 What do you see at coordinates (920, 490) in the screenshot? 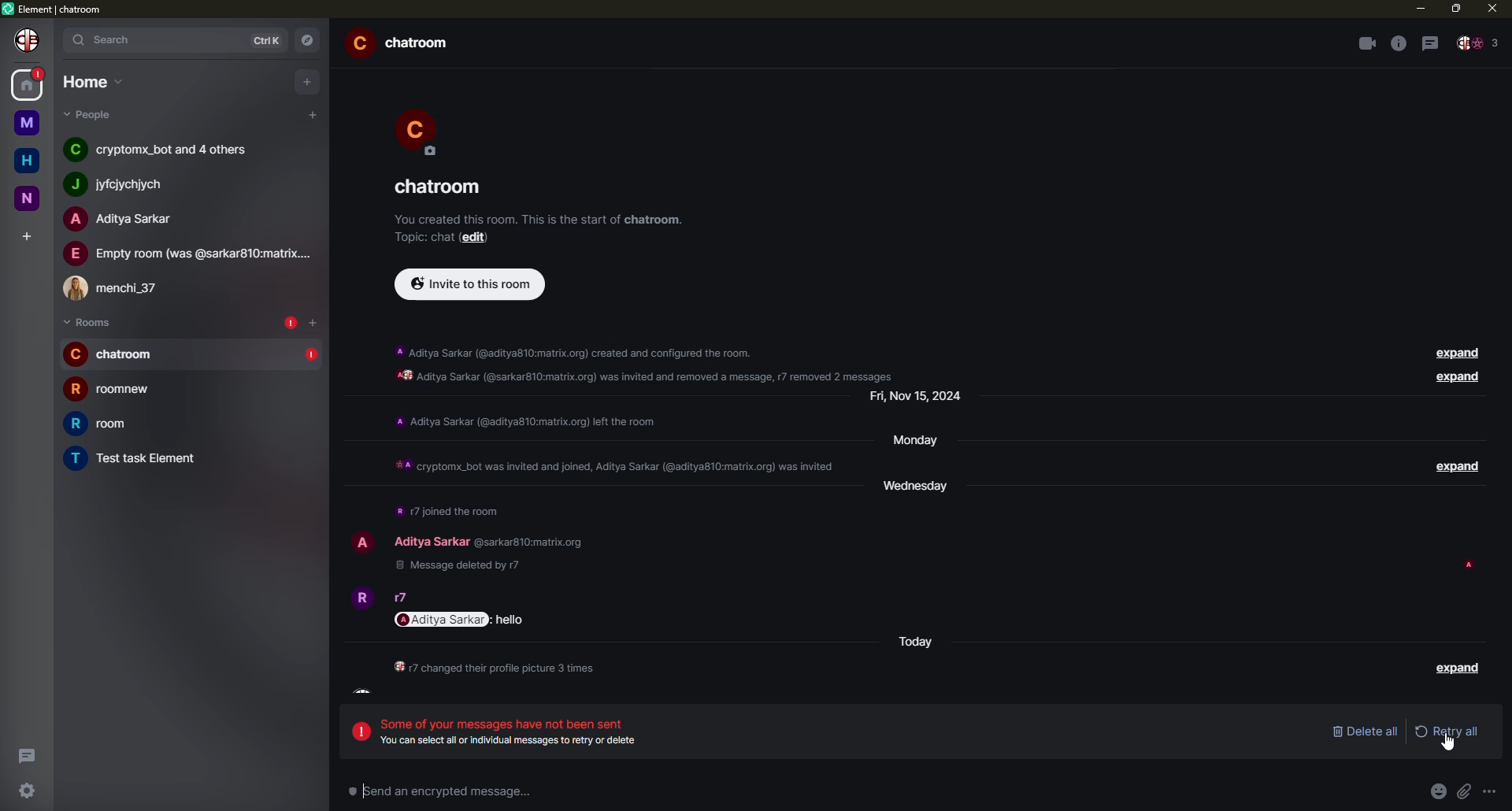
I see `day` at bounding box center [920, 490].